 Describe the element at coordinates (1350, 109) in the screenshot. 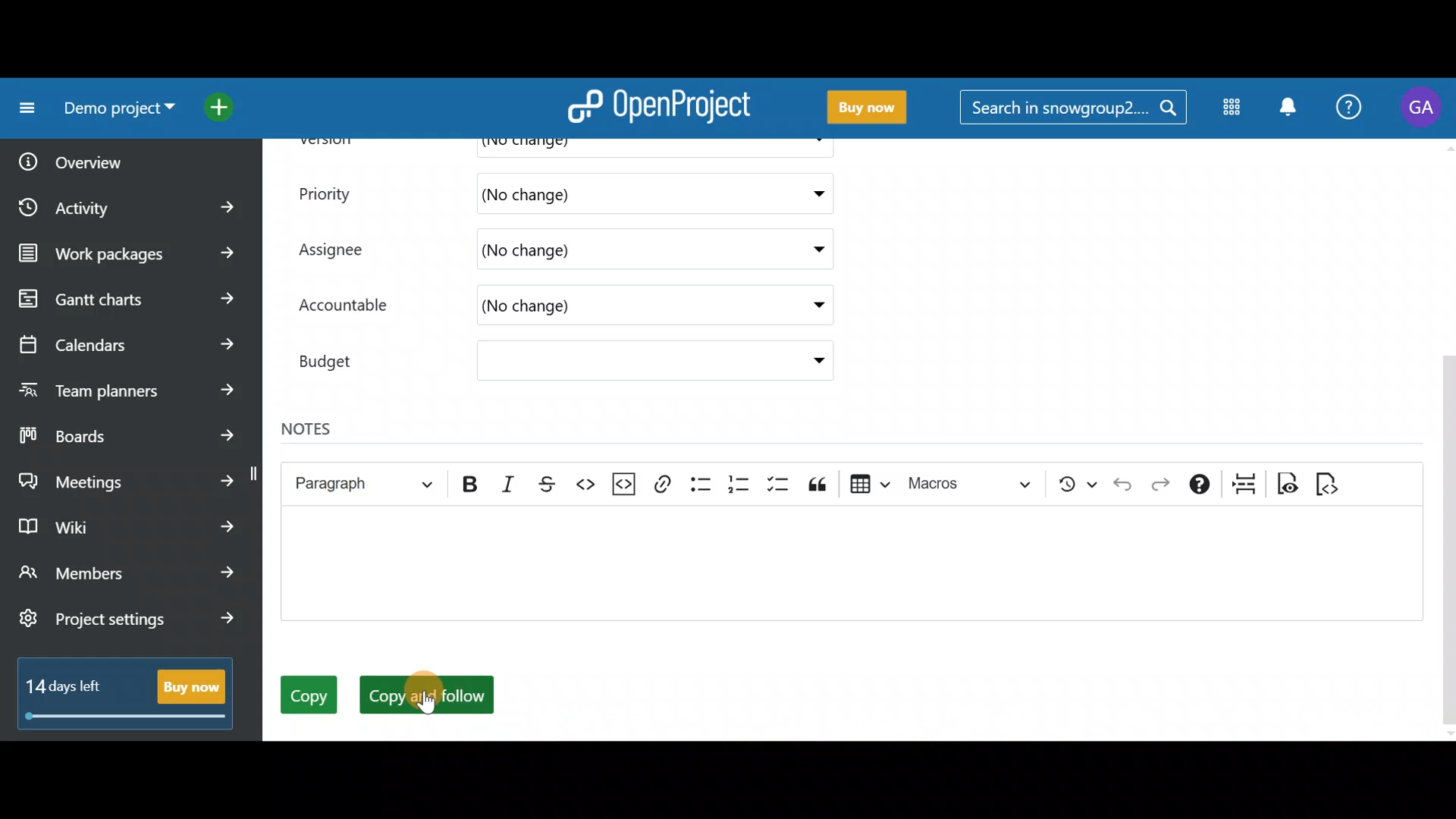

I see `Help` at that location.